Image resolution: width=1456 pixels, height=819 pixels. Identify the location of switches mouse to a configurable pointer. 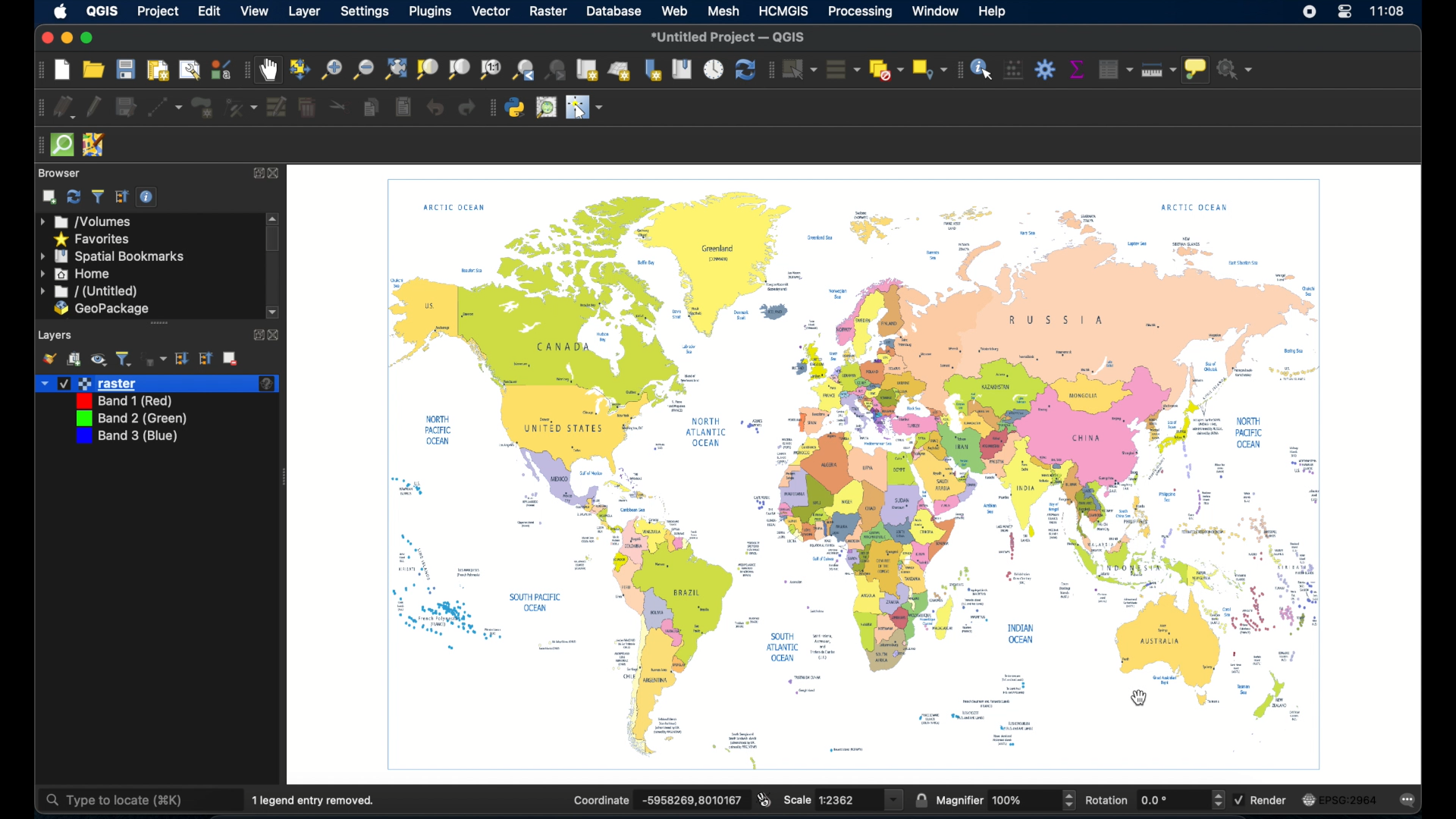
(588, 109).